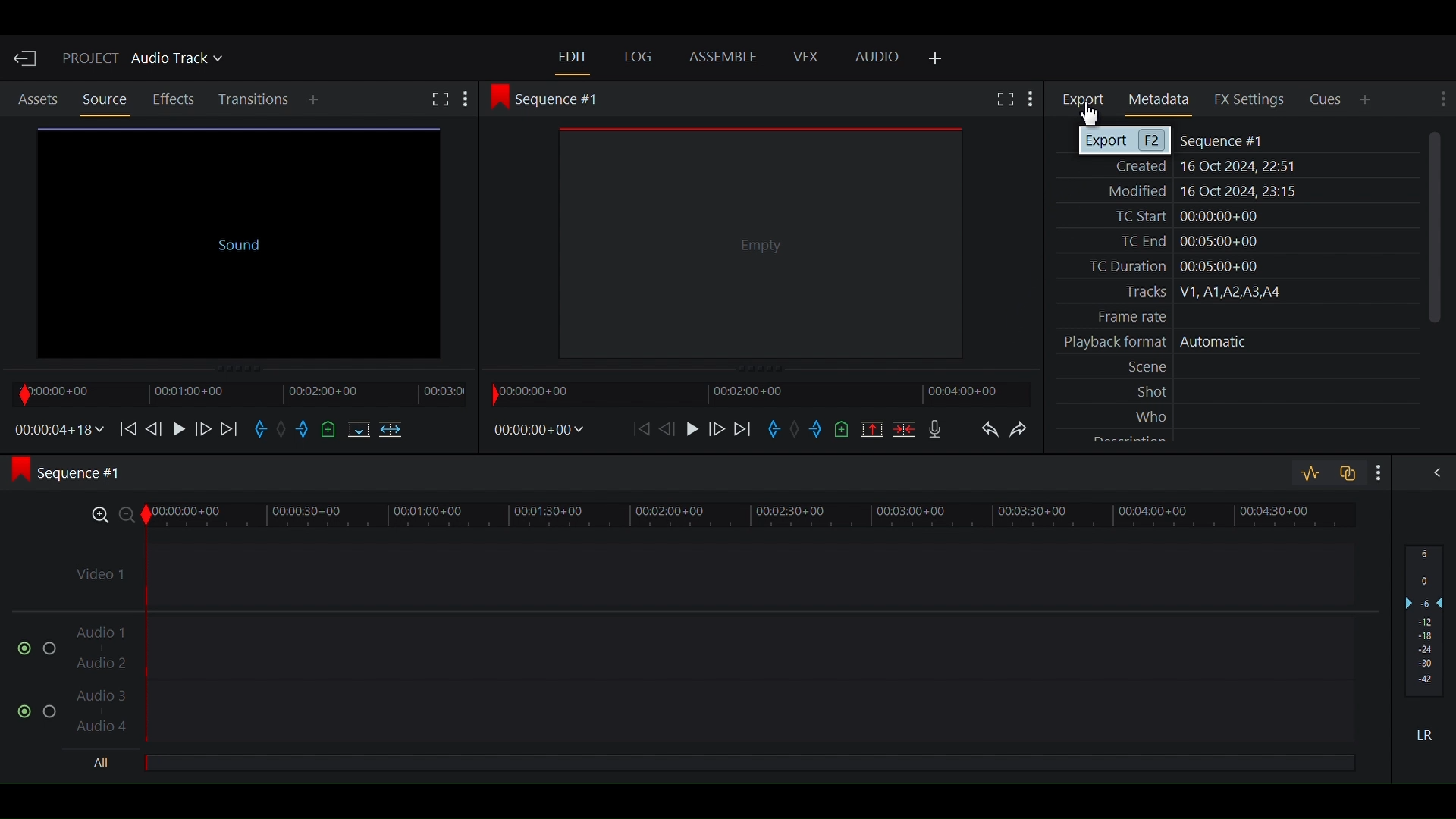 The image size is (1456, 819). What do you see at coordinates (1250, 99) in the screenshot?
I see `FX Settings` at bounding box center [1250, 99].